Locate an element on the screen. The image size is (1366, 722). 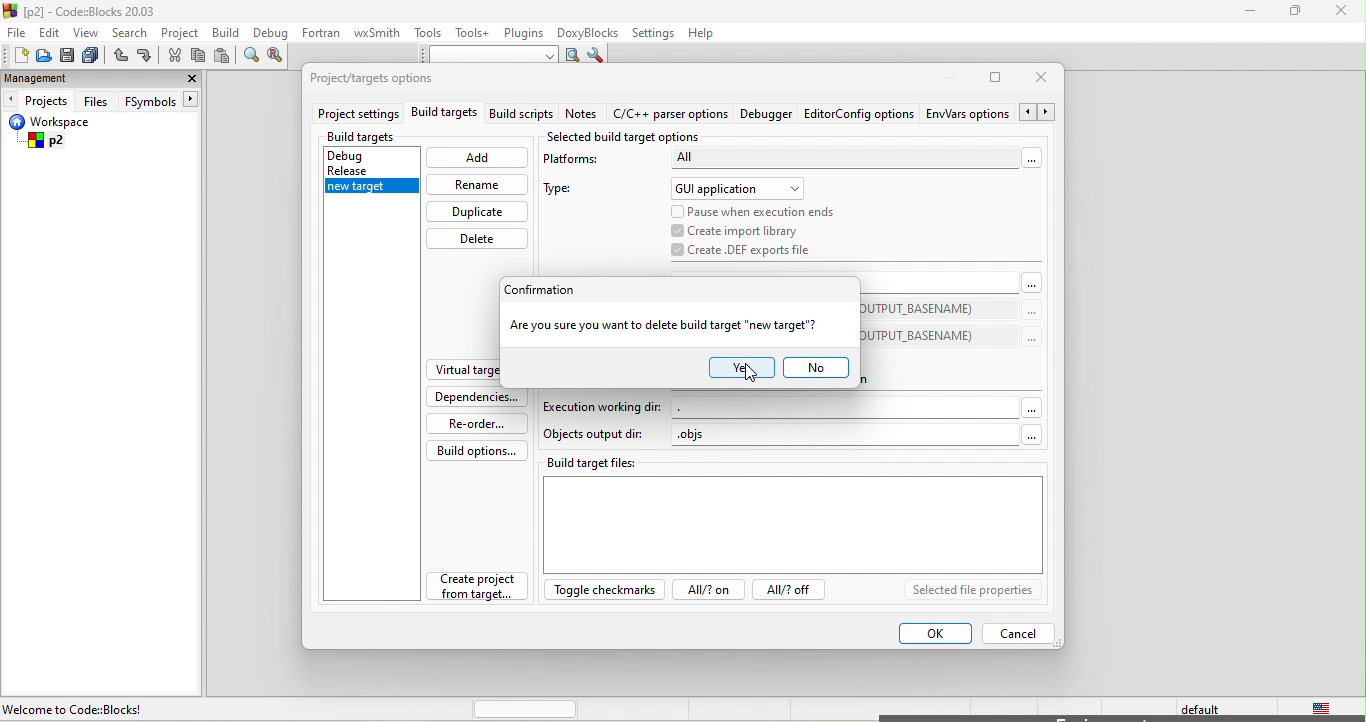
tools++ is located at coordinates (476, 34).